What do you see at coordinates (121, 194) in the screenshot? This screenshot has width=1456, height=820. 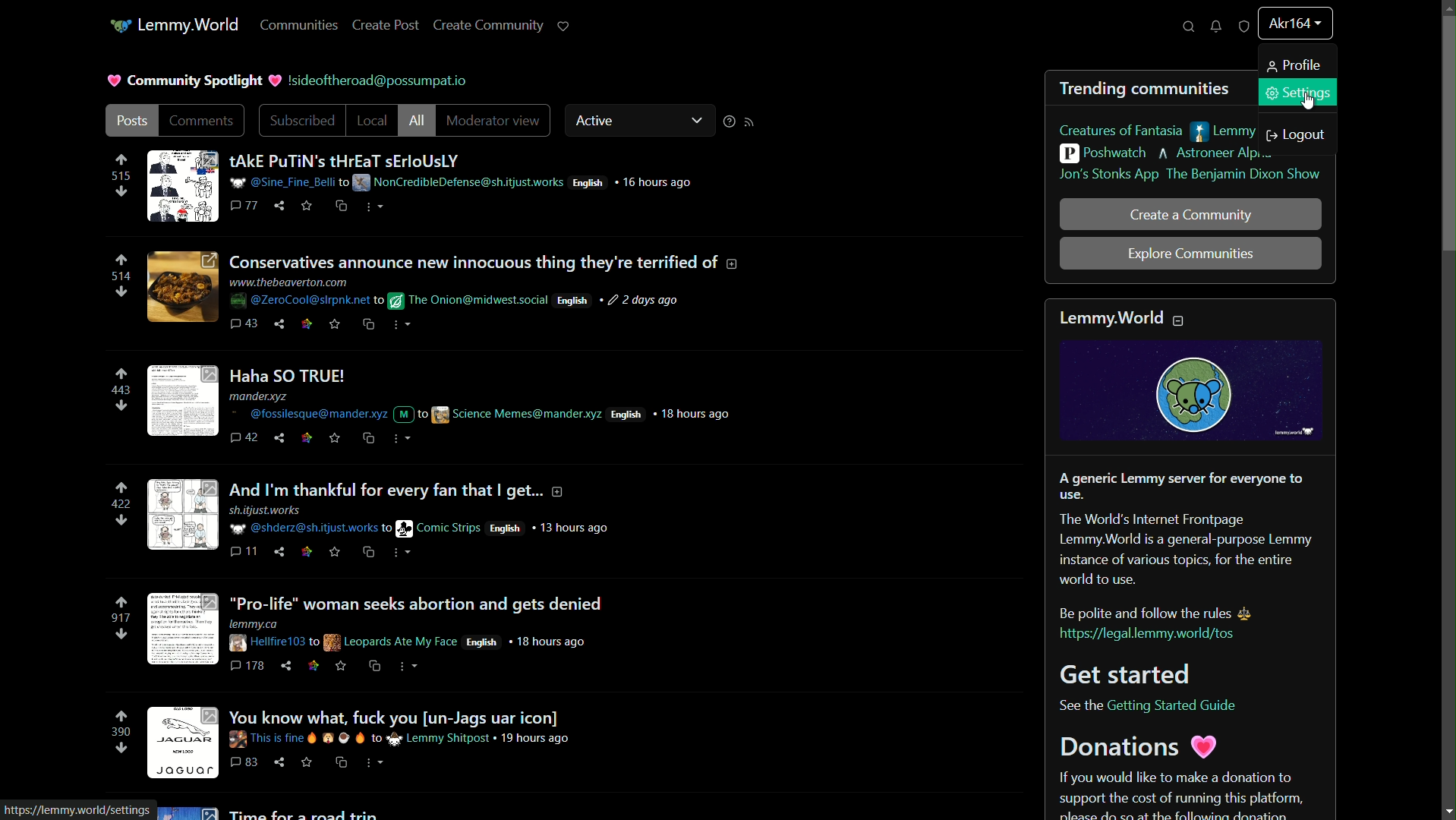 I see `downvote` at bounding box center [121, 194].